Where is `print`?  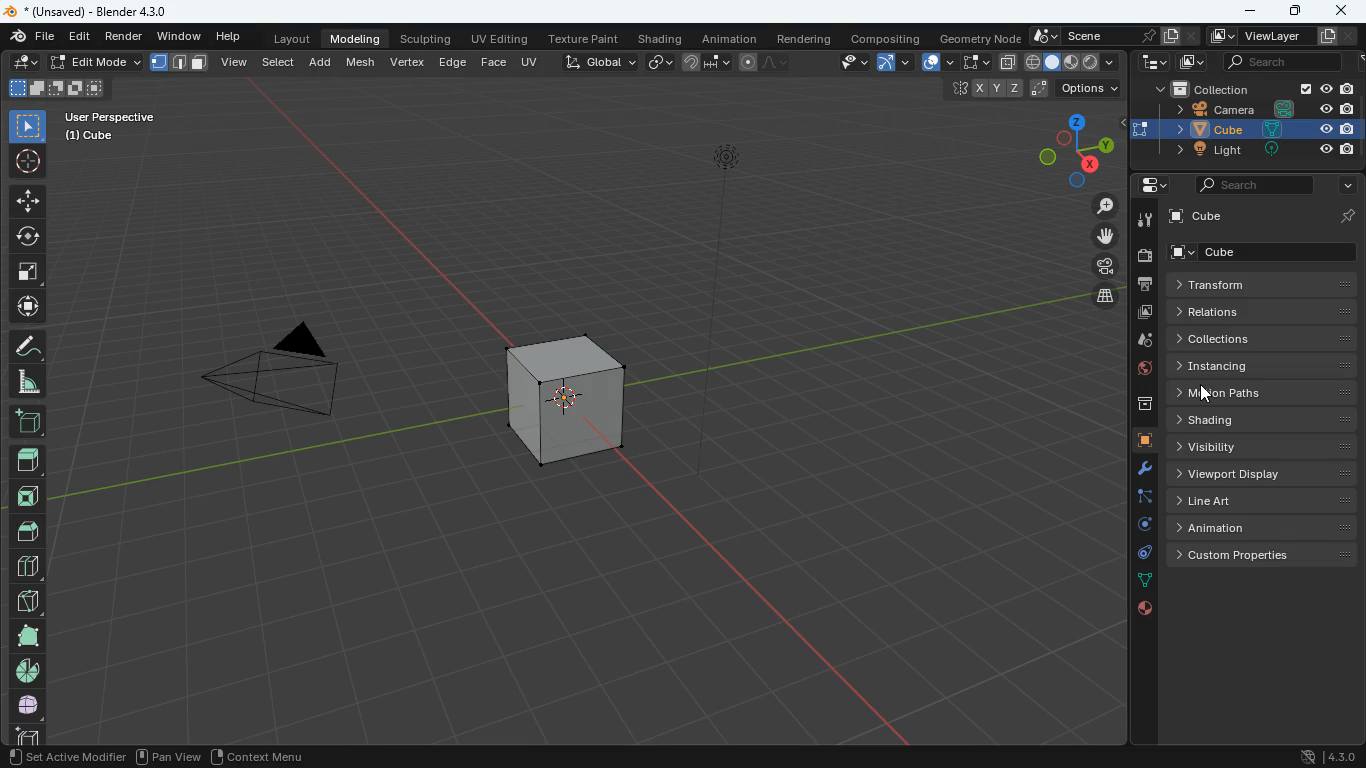
print is located at coordinates (1144, 285).